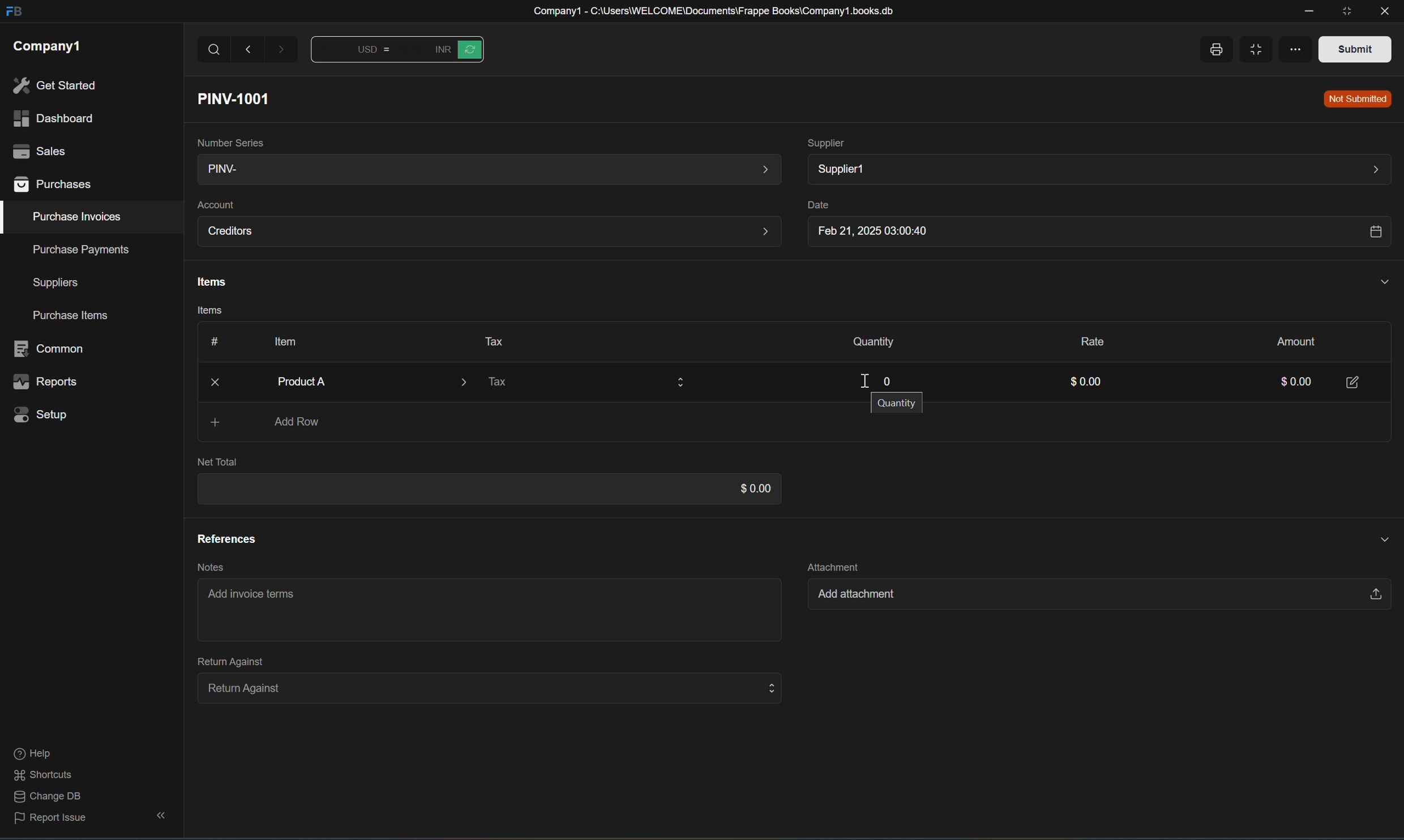  Describe the element at coordinates (827, 142) in the screenshot. I see `Supplier` at that location.